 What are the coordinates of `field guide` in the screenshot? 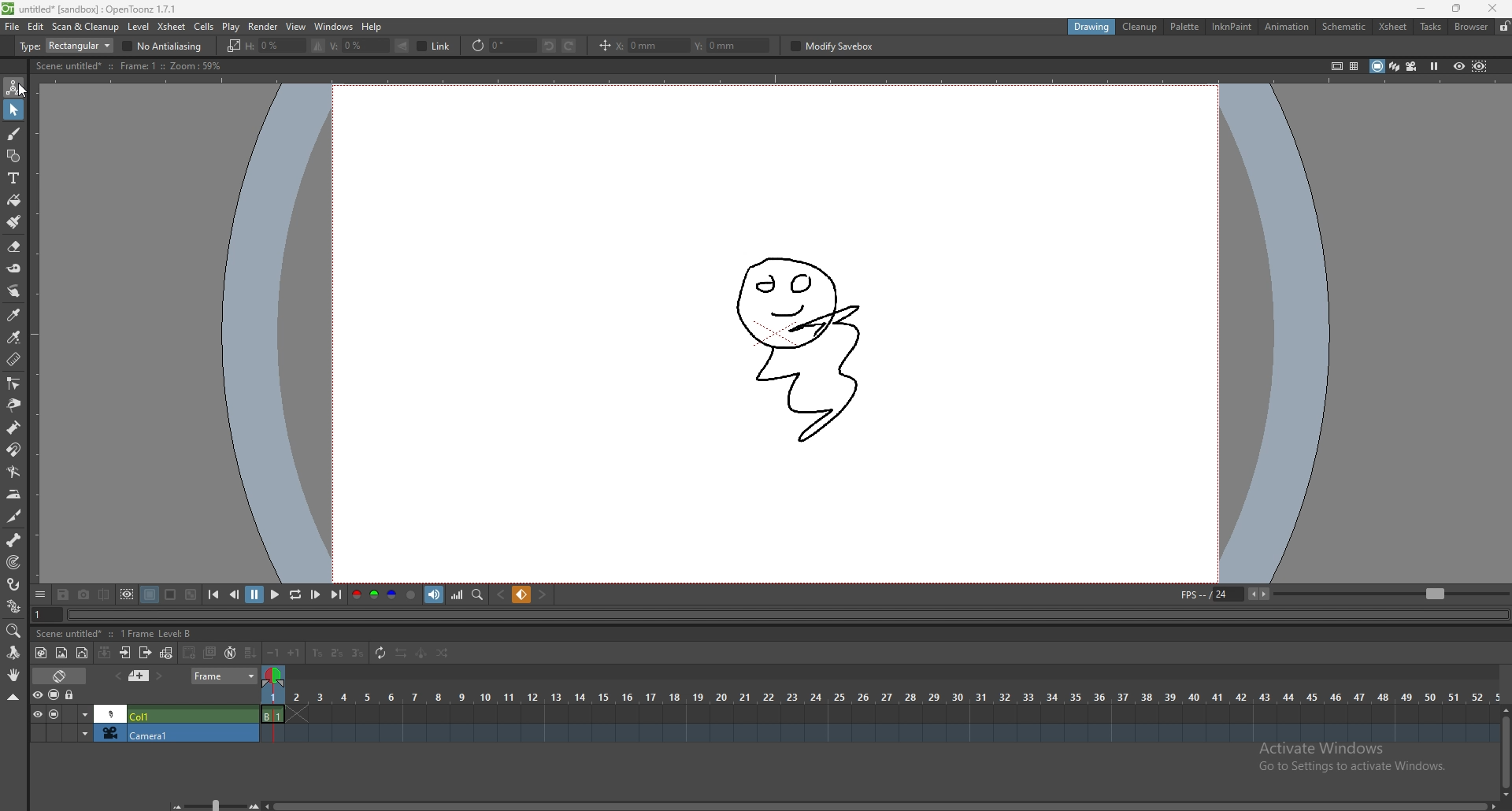 It's located at (1354, 66).